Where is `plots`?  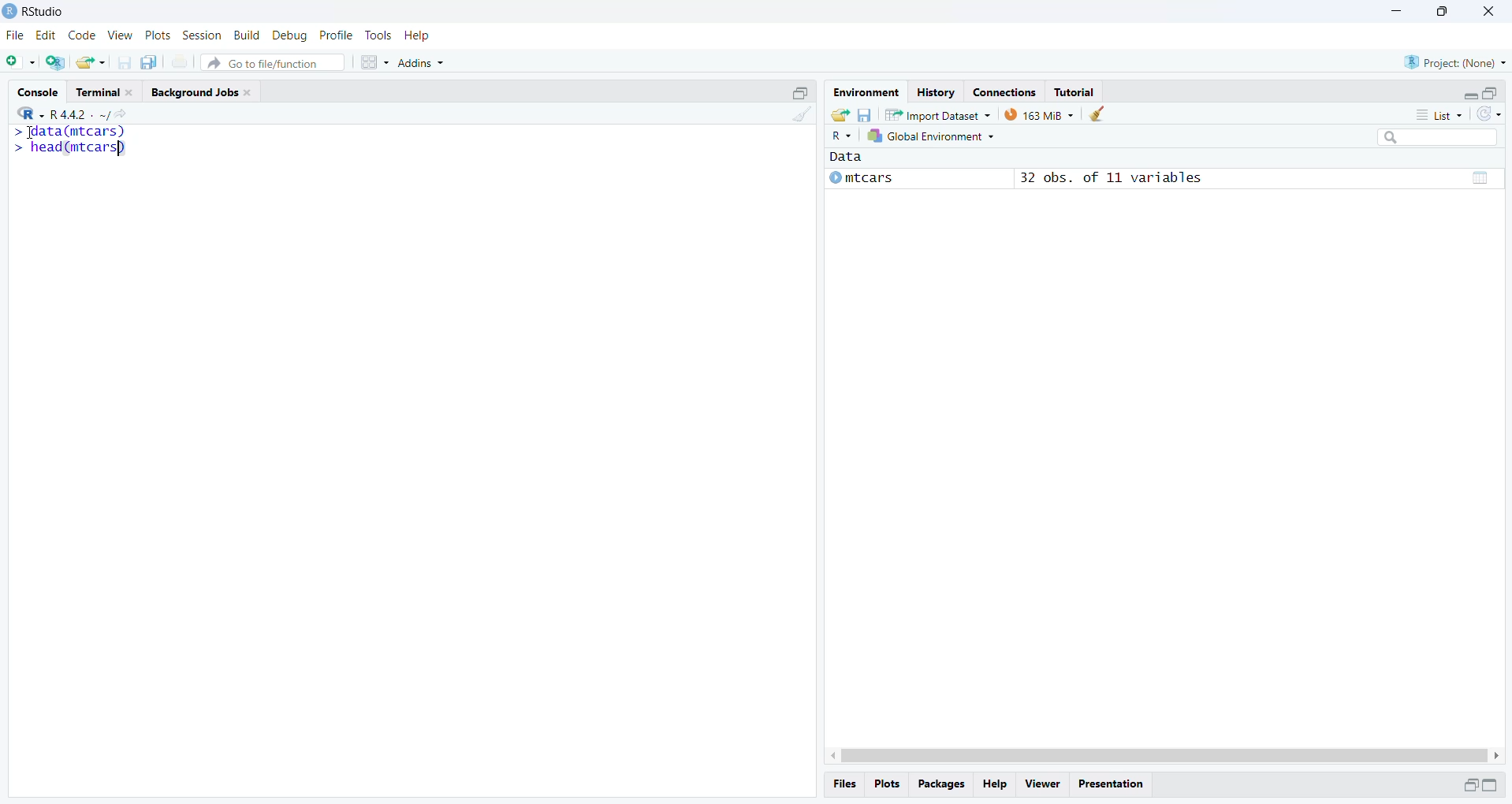 plots is located at coordinates (889, 784).